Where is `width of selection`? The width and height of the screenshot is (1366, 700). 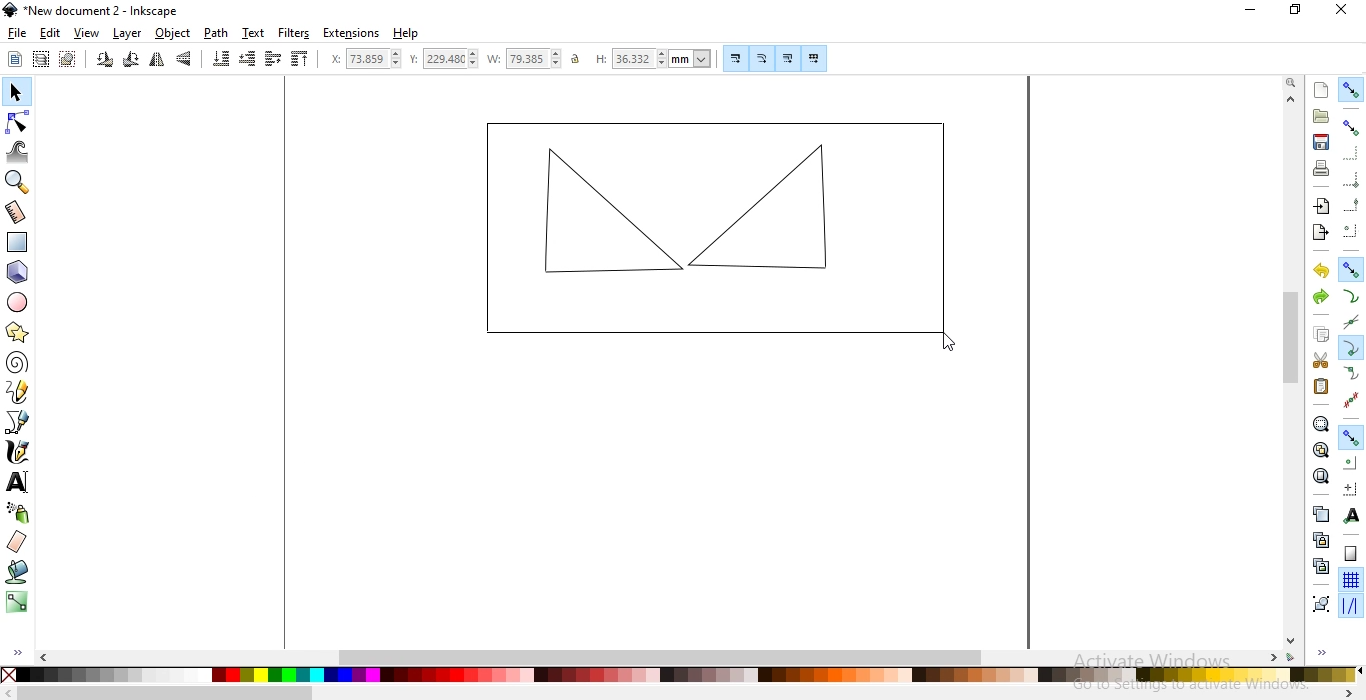 width of selection is located at coordinates (524, 58).